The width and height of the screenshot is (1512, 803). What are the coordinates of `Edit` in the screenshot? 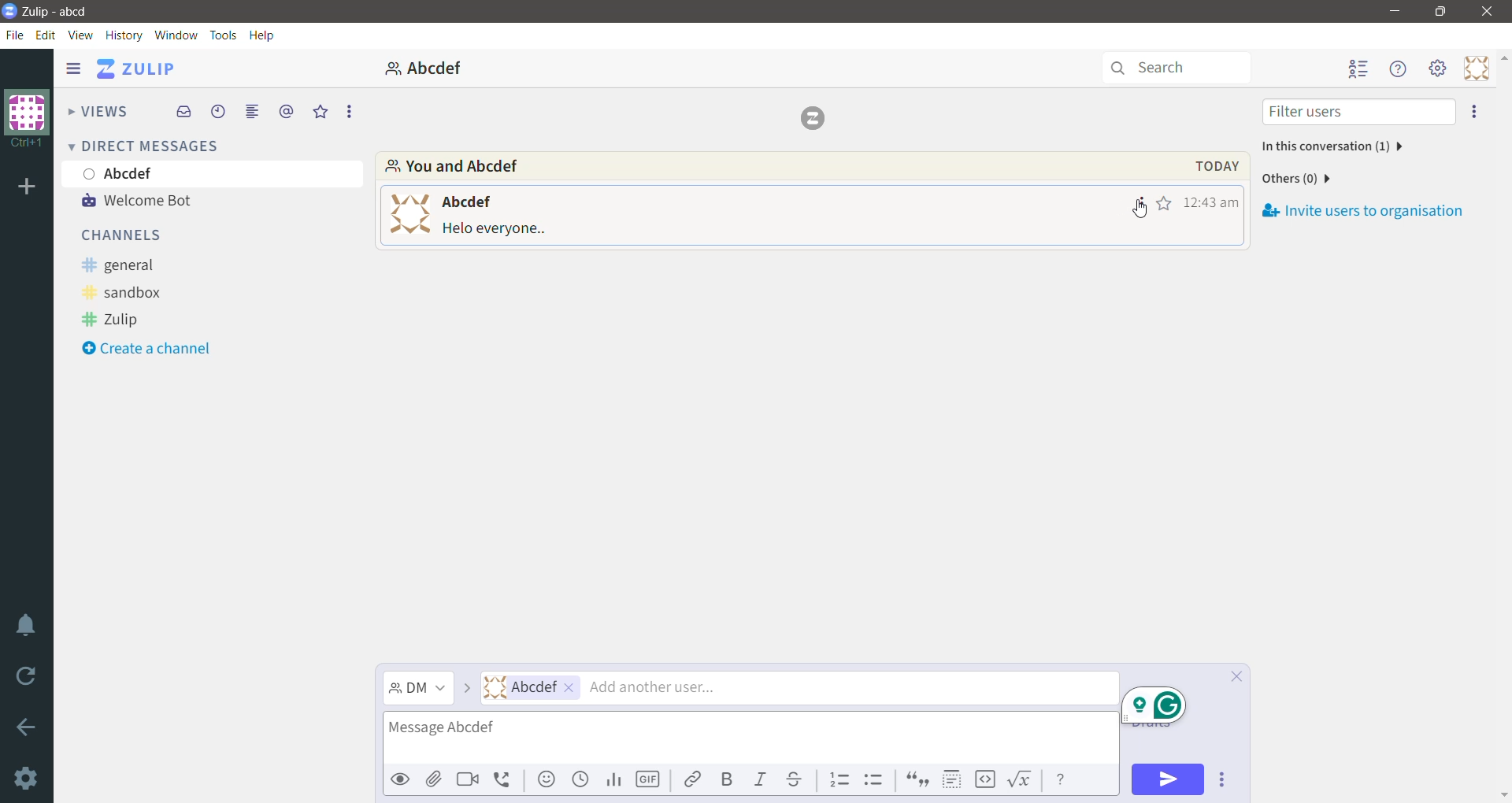 It's located at (48, 35).